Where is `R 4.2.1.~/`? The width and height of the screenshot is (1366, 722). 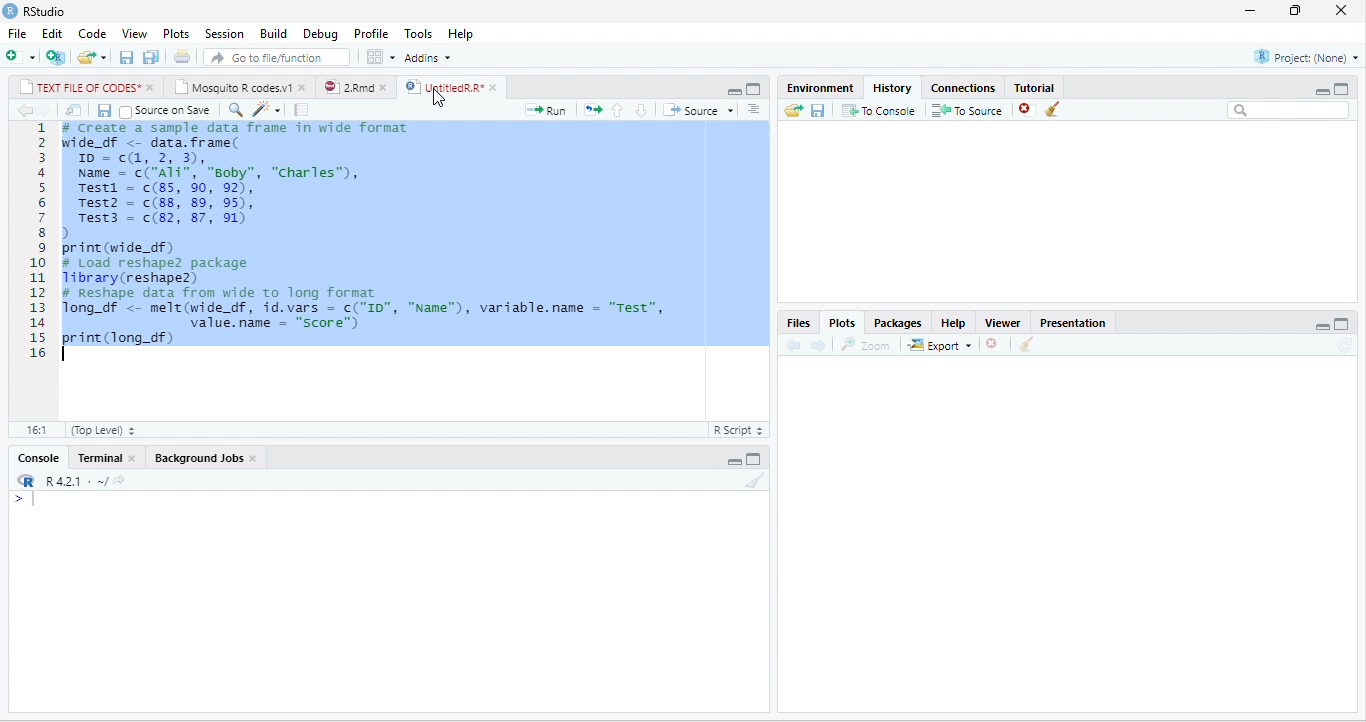 R 4.2.1.~/ is located at coordinates (70, 480).